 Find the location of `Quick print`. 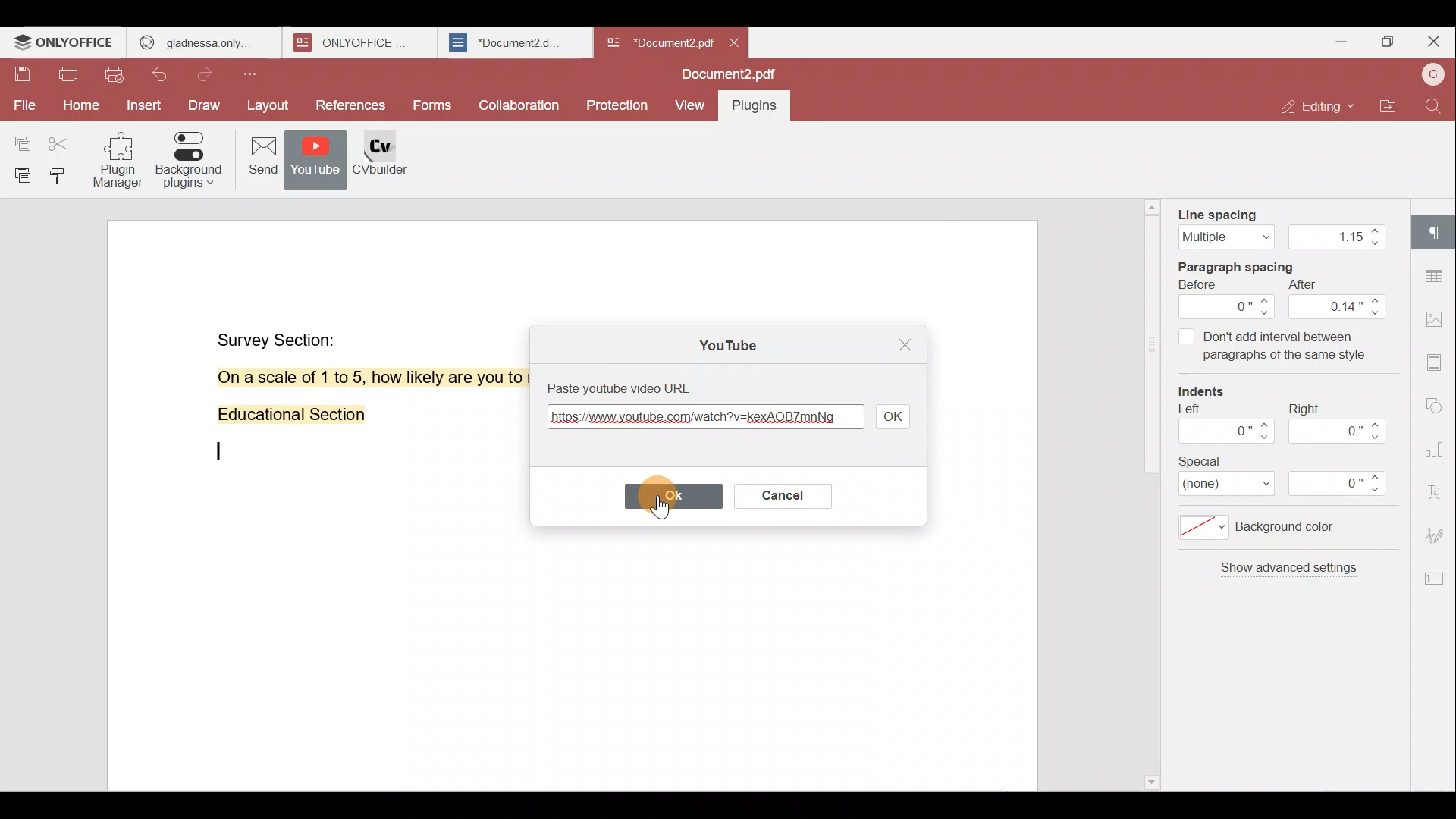

Quick print is located at coordinates (116, 77).